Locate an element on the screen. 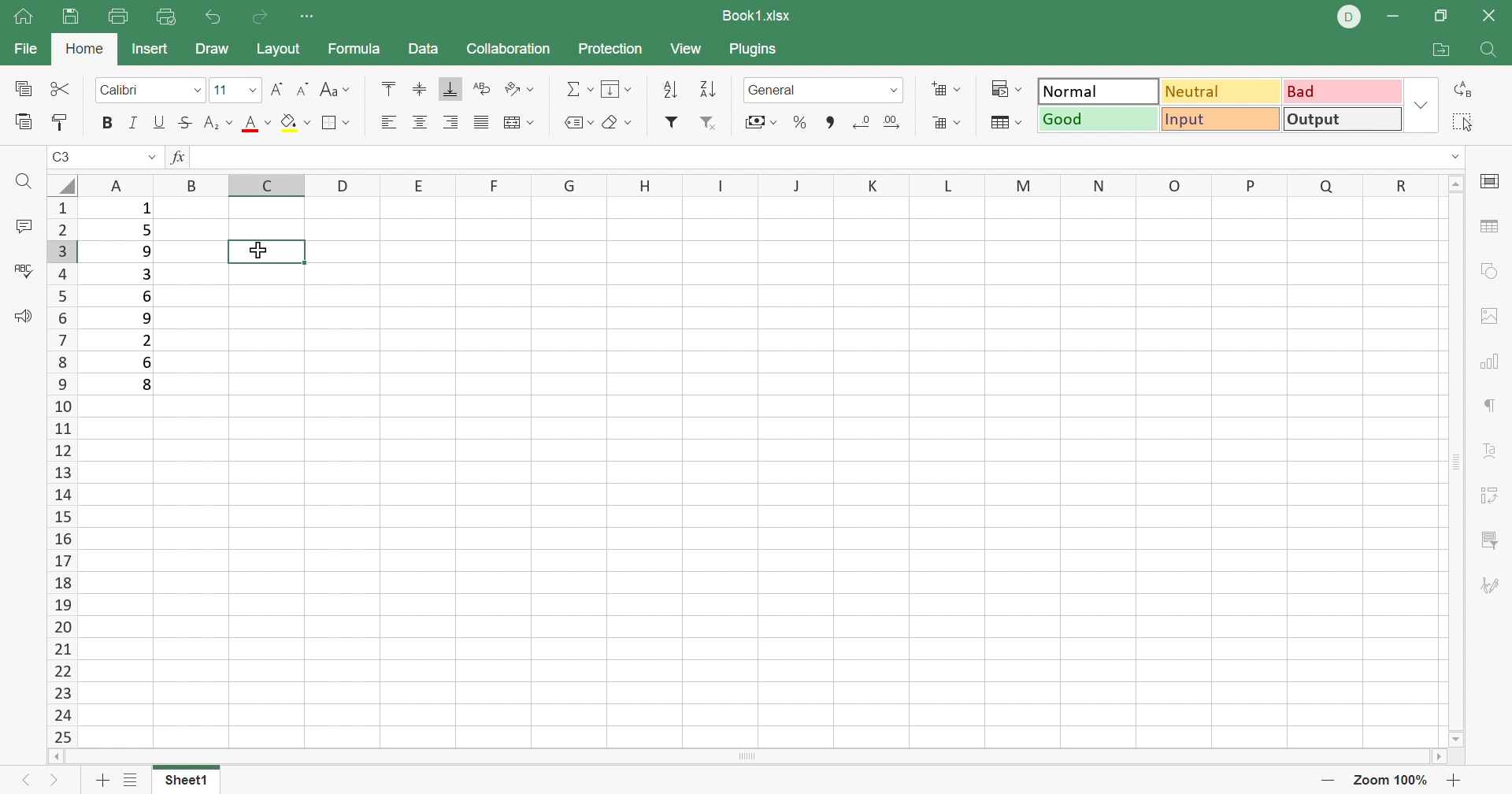 The width and height of the screenshot is (1512, 794). Underline is located at coordinates (161, 122).